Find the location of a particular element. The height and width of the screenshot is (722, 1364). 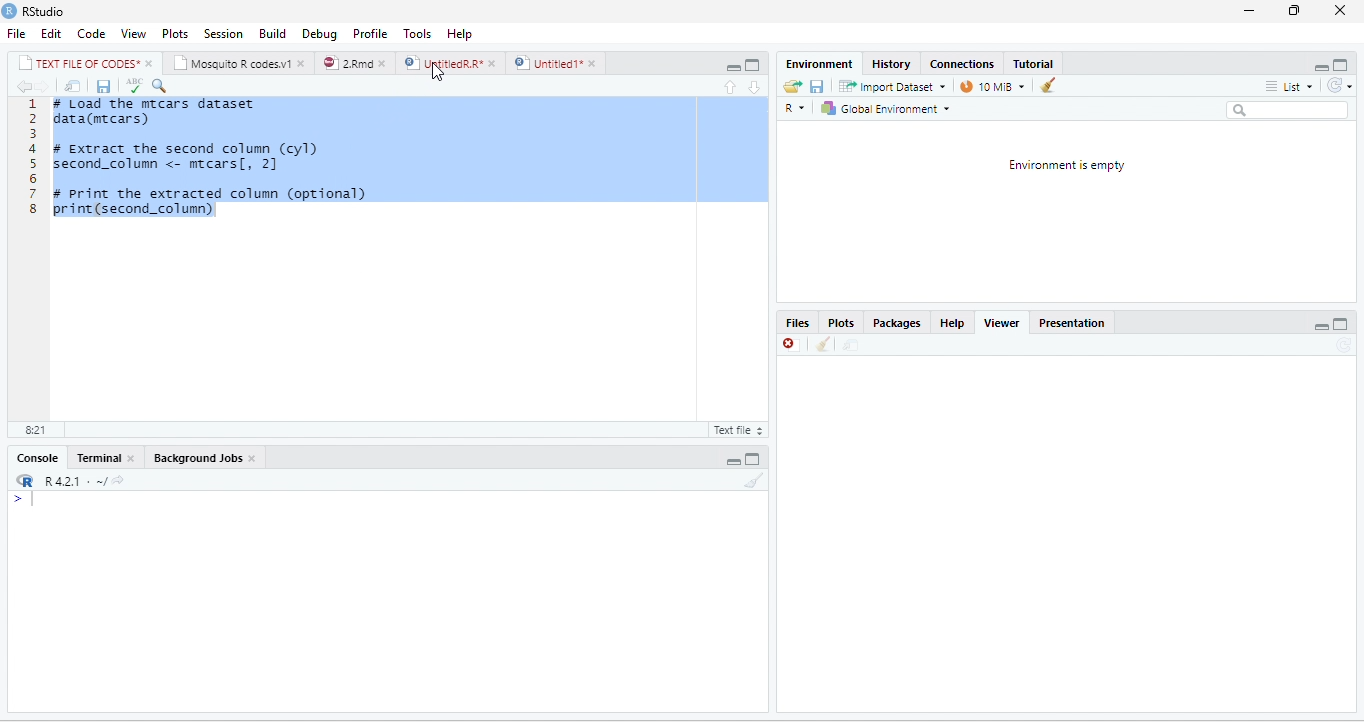

| TEXT FILE RF CODES* is located at coordinates (78, 61).